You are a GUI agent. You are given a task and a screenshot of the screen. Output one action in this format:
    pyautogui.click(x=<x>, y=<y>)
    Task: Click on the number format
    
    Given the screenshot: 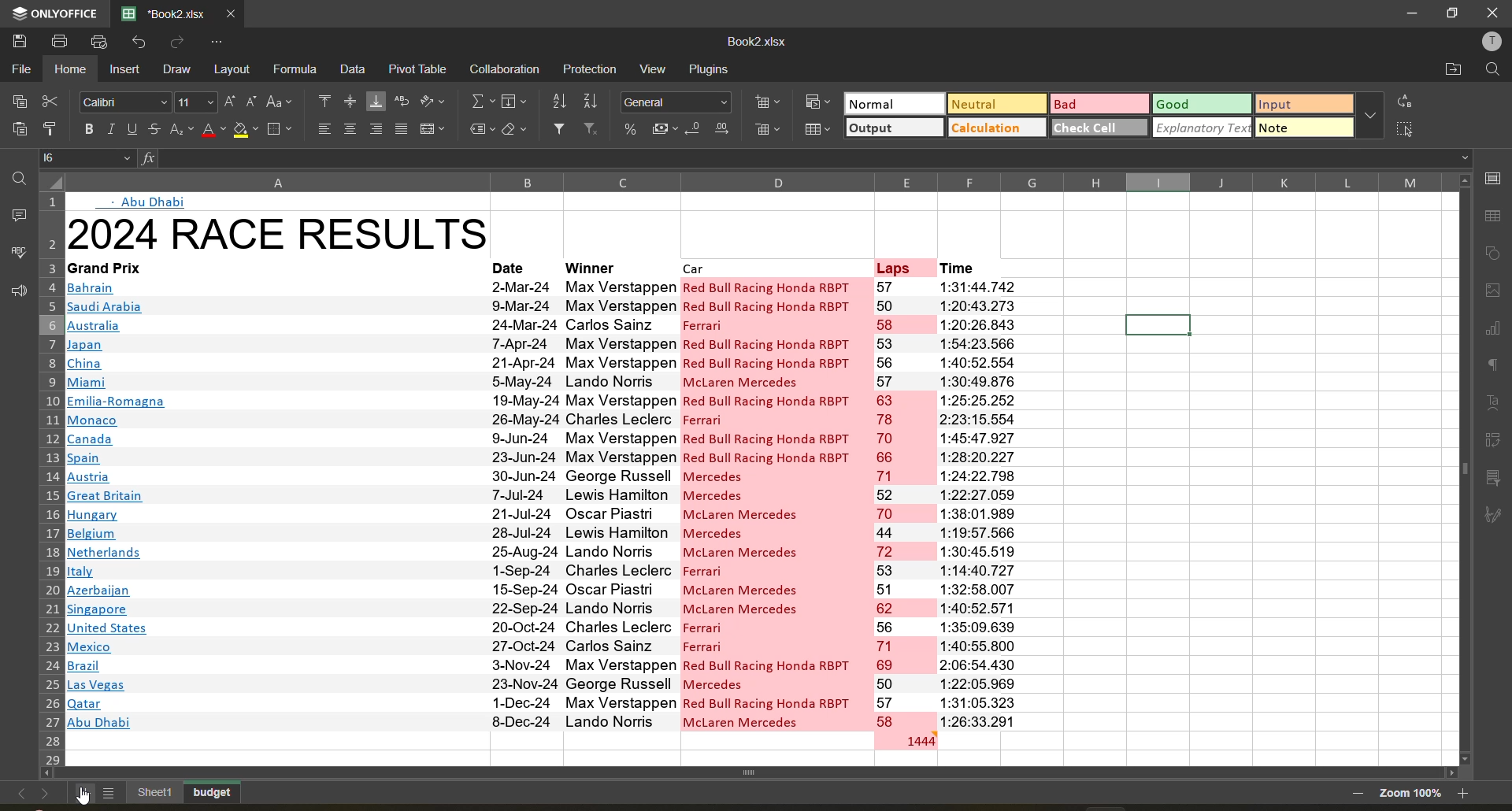 What is the action you would take?
    pyautogui.click(x=677, y=102)
    